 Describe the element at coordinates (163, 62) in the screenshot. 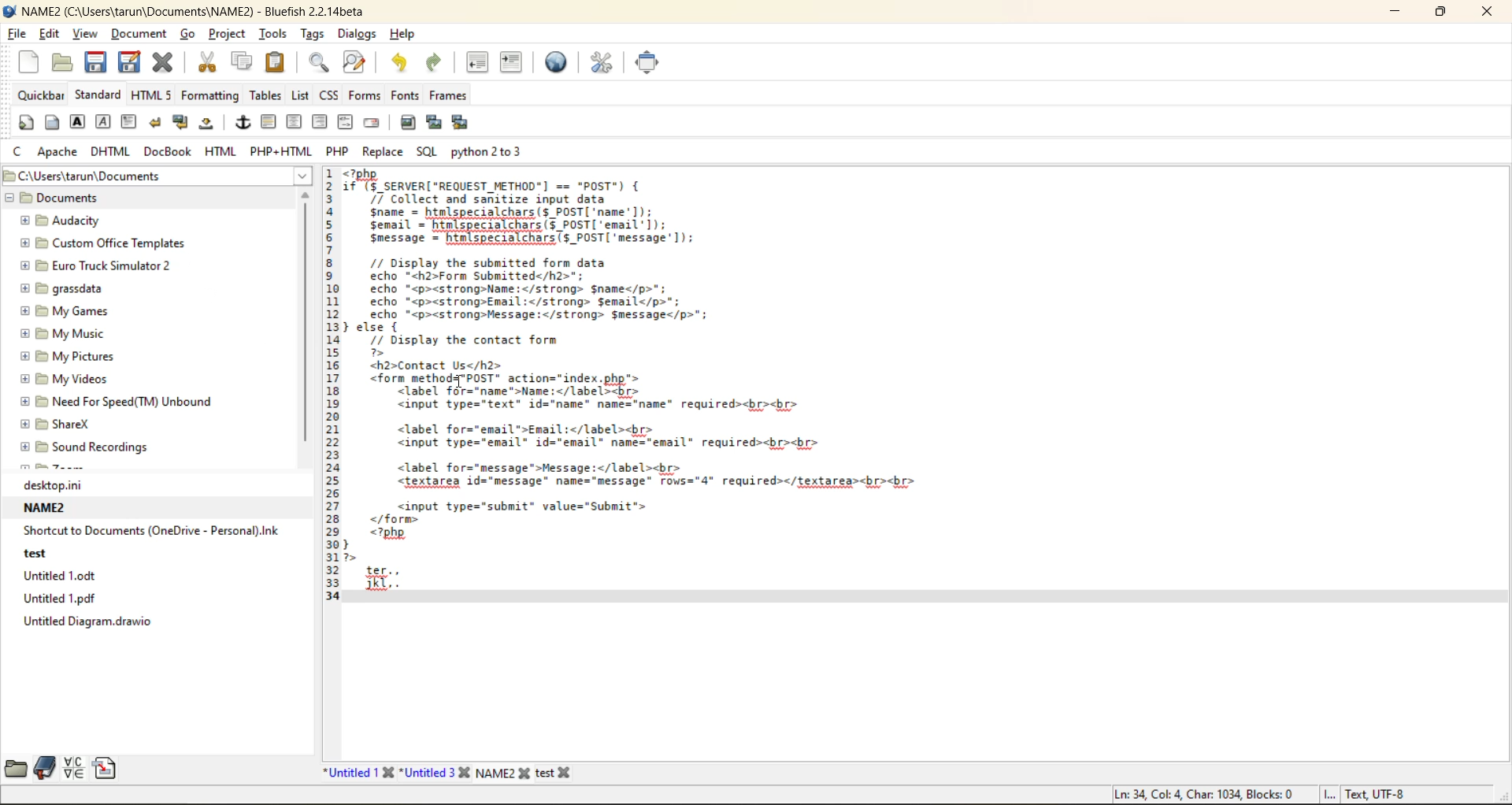

I see `close file` at that location.